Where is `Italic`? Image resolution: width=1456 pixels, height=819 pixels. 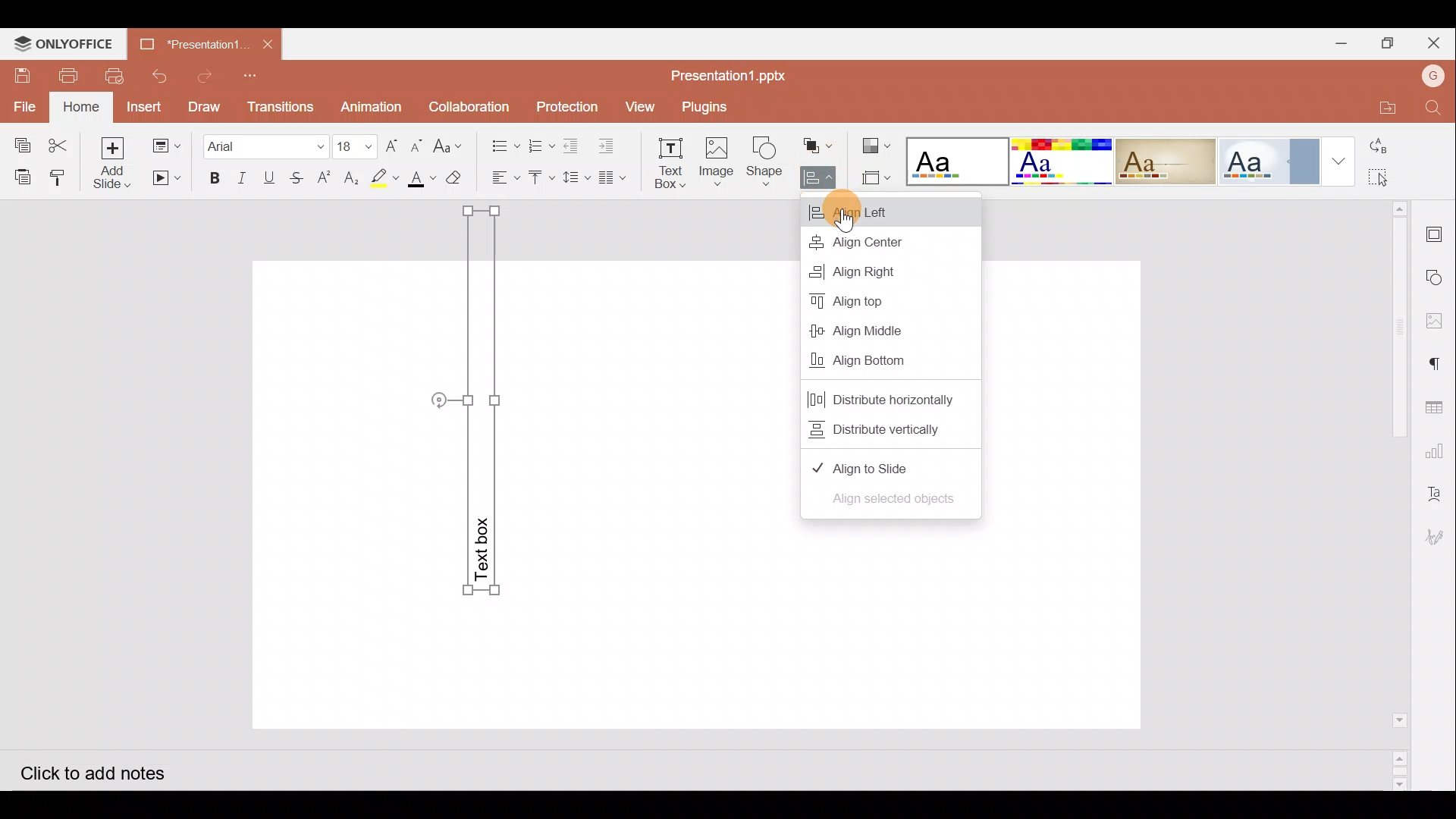
Italic is located at coordinates (241, 178).